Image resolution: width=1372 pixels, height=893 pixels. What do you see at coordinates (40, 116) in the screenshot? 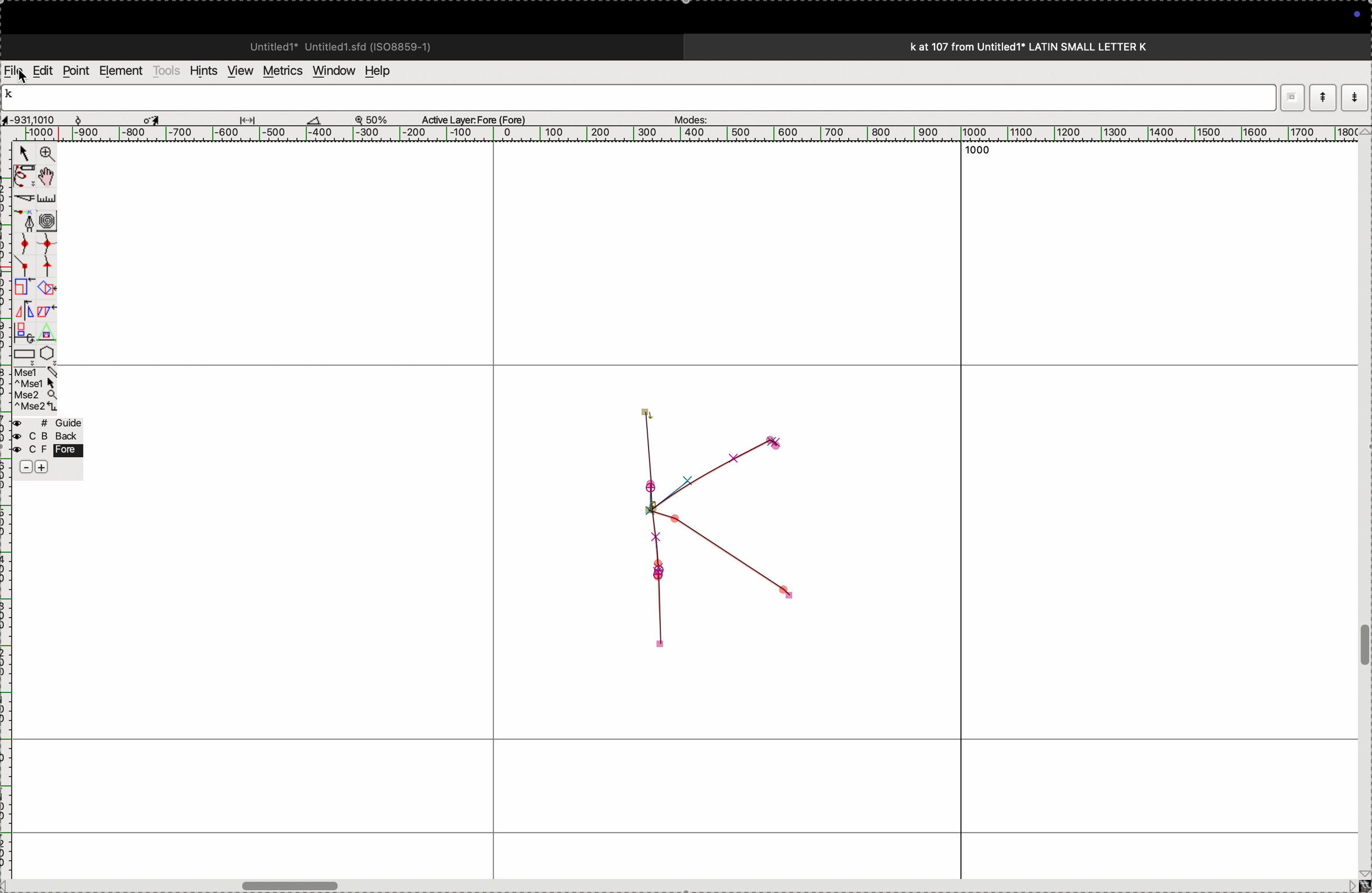
I see `co ordinates` at bounding box center [40, 116].